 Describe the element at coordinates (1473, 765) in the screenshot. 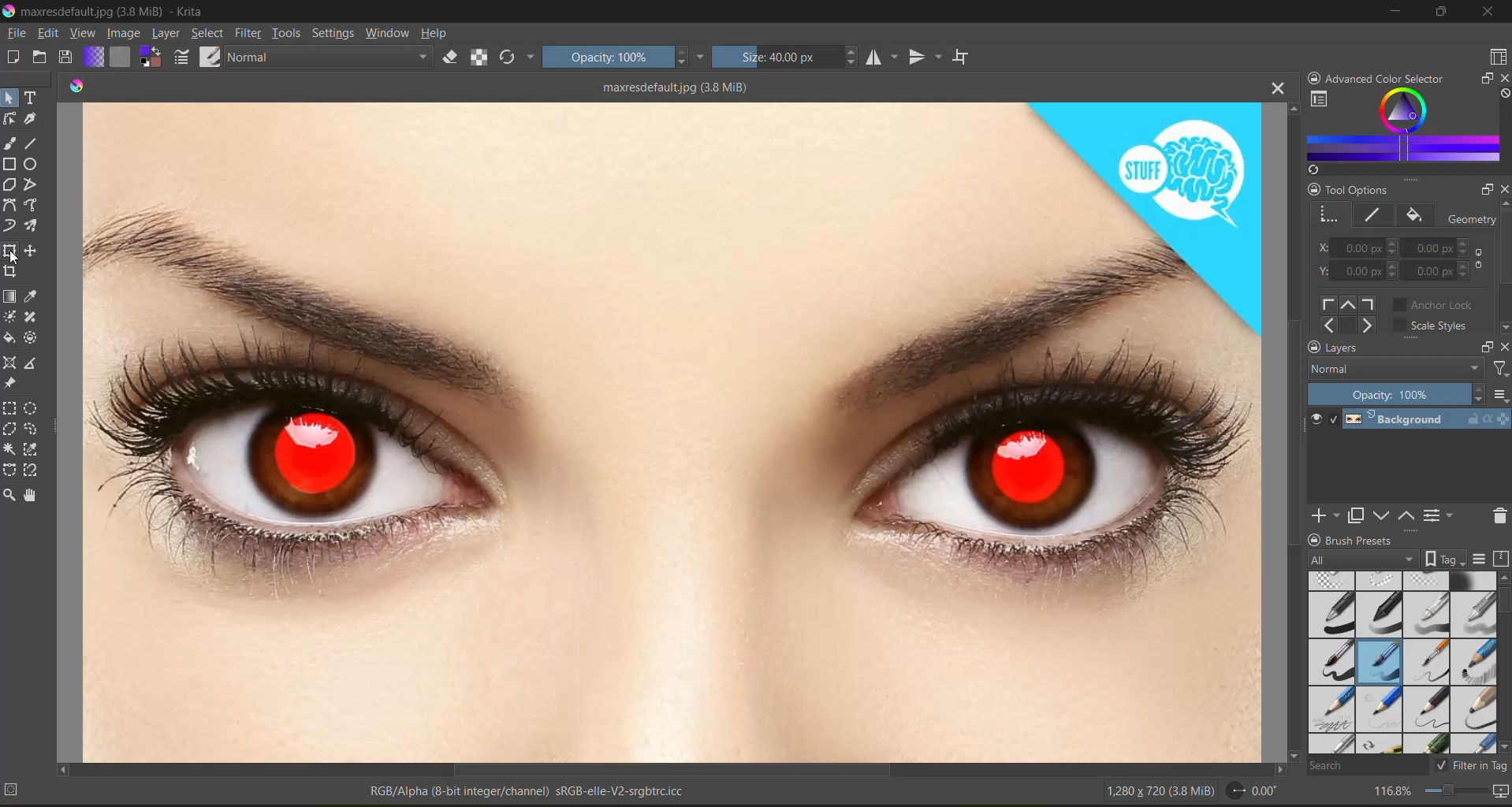

I see `filter in tag` at that location.